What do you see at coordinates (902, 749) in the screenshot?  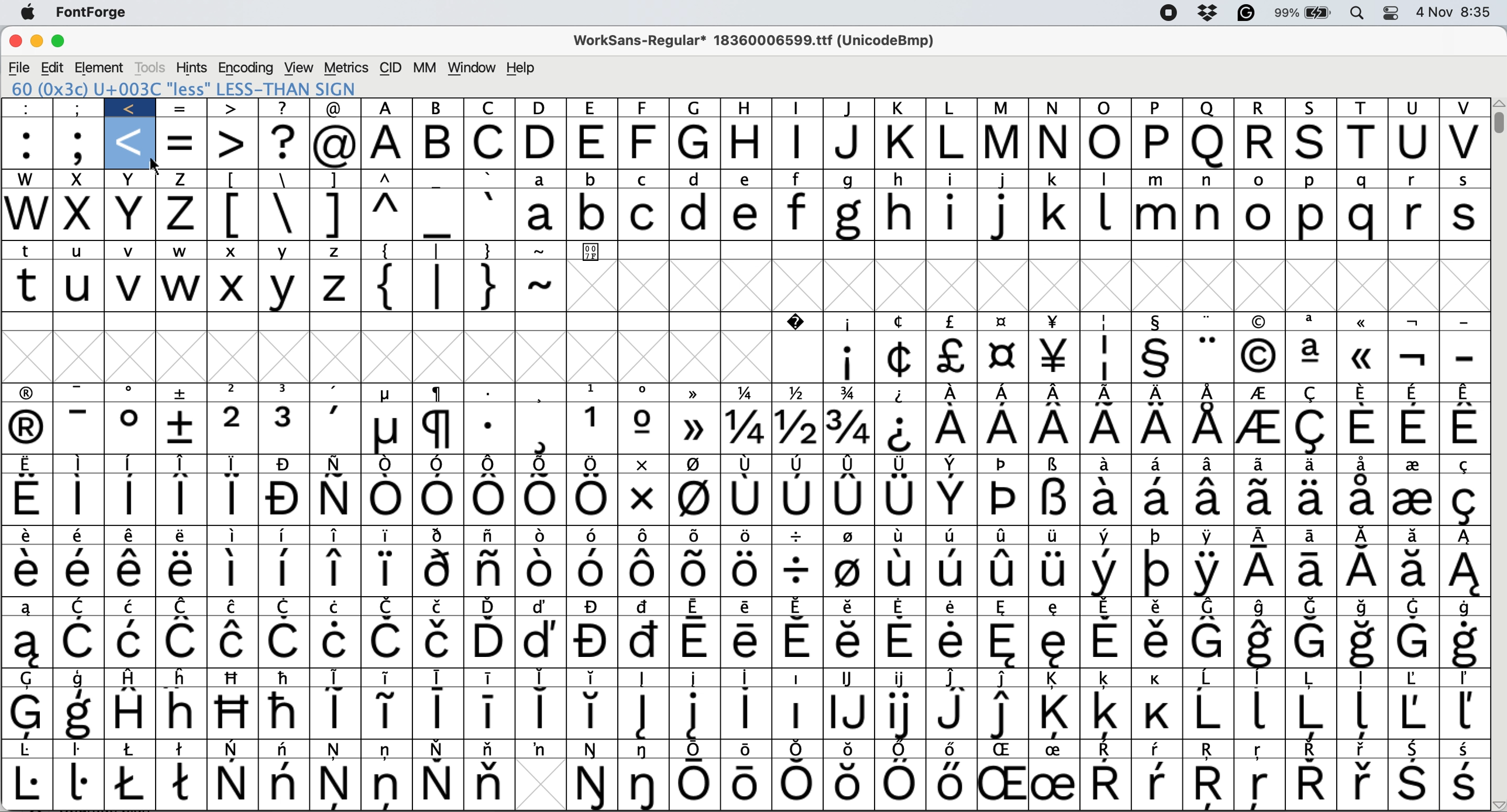 I see `Symbol` at bounding box center [902, 749].